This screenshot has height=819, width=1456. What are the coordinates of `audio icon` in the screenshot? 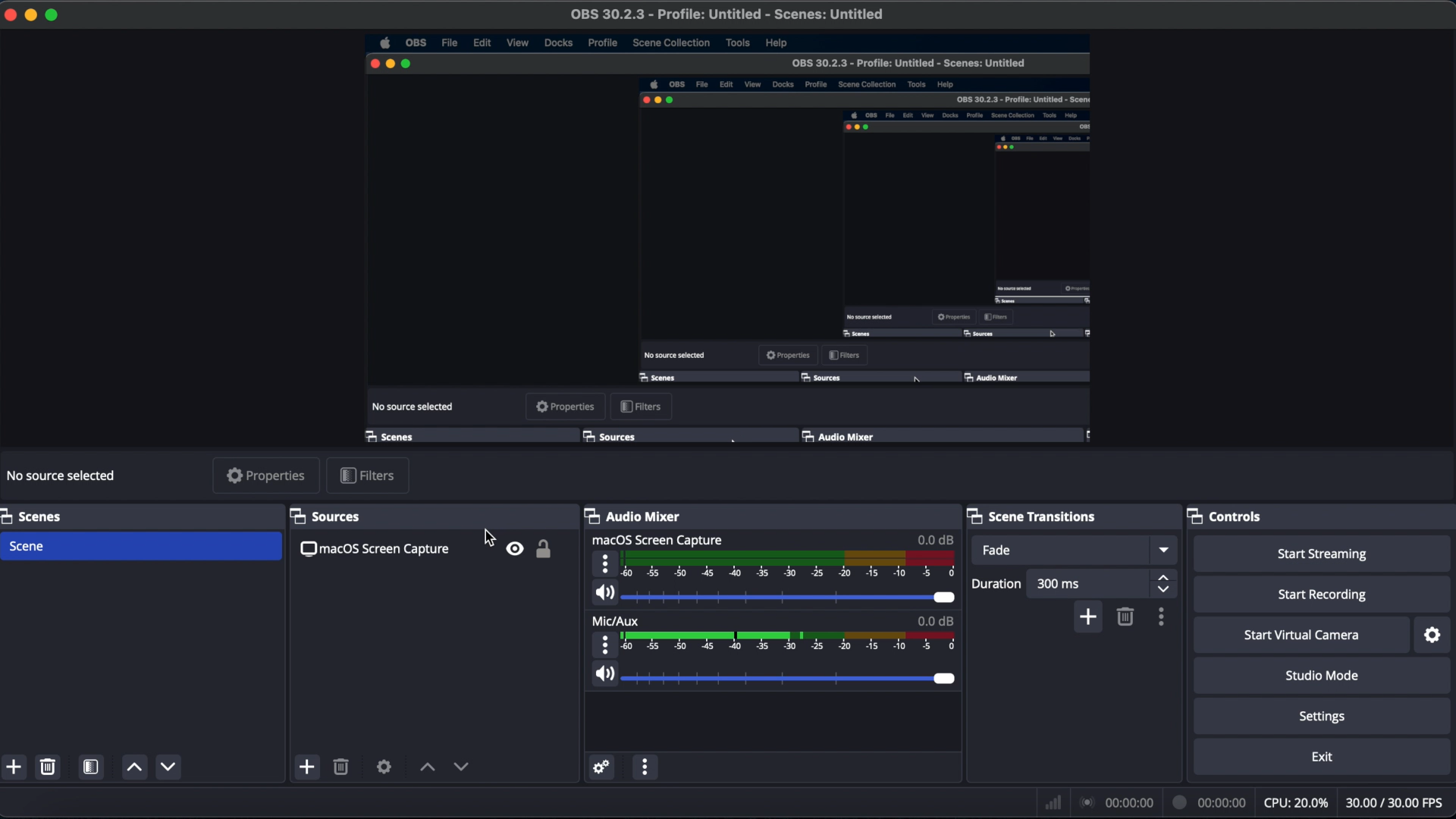 It's located at (603, 673).